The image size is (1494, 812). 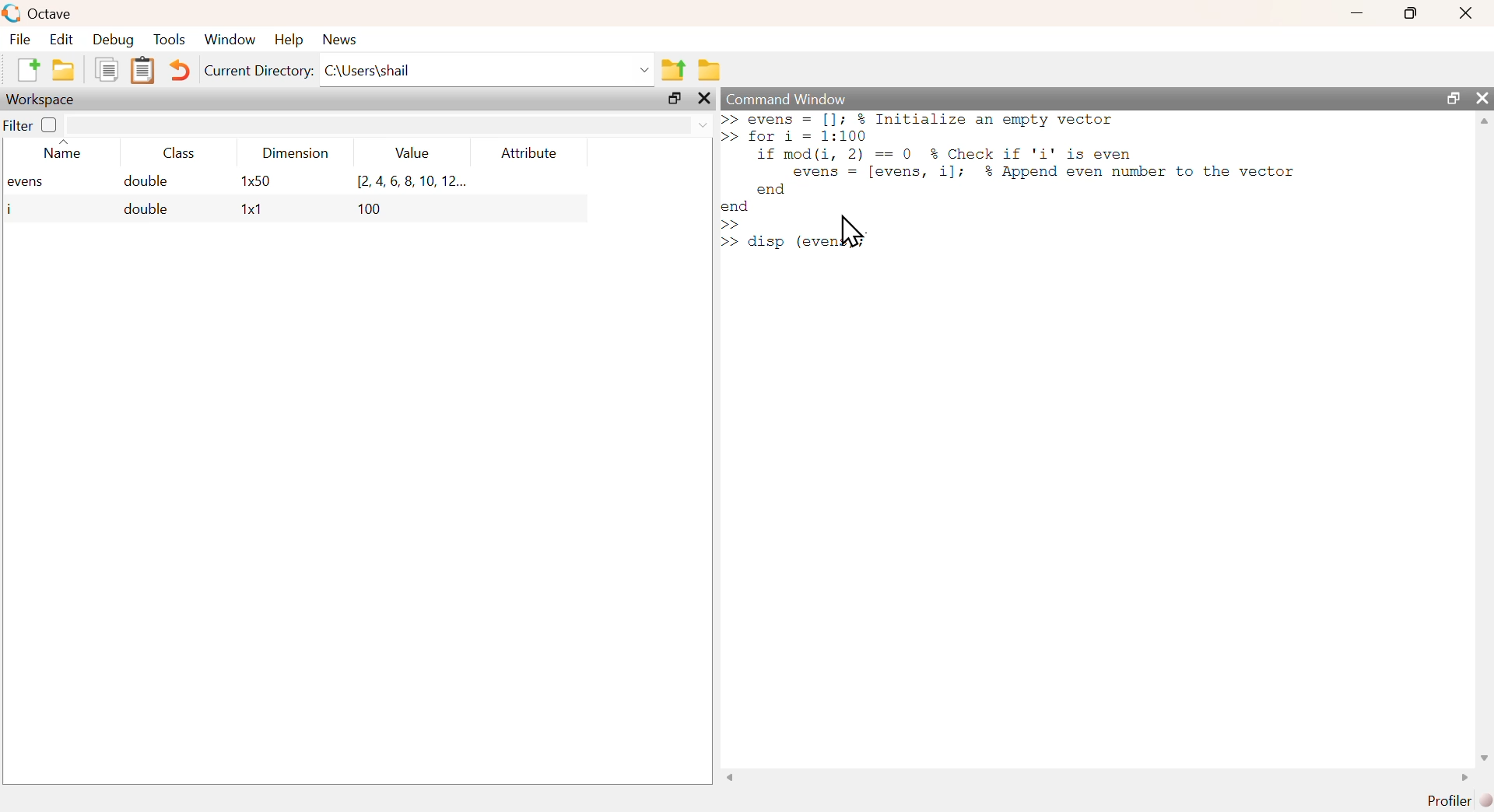 I want to click on minimize, so click(x=1355, y=14).